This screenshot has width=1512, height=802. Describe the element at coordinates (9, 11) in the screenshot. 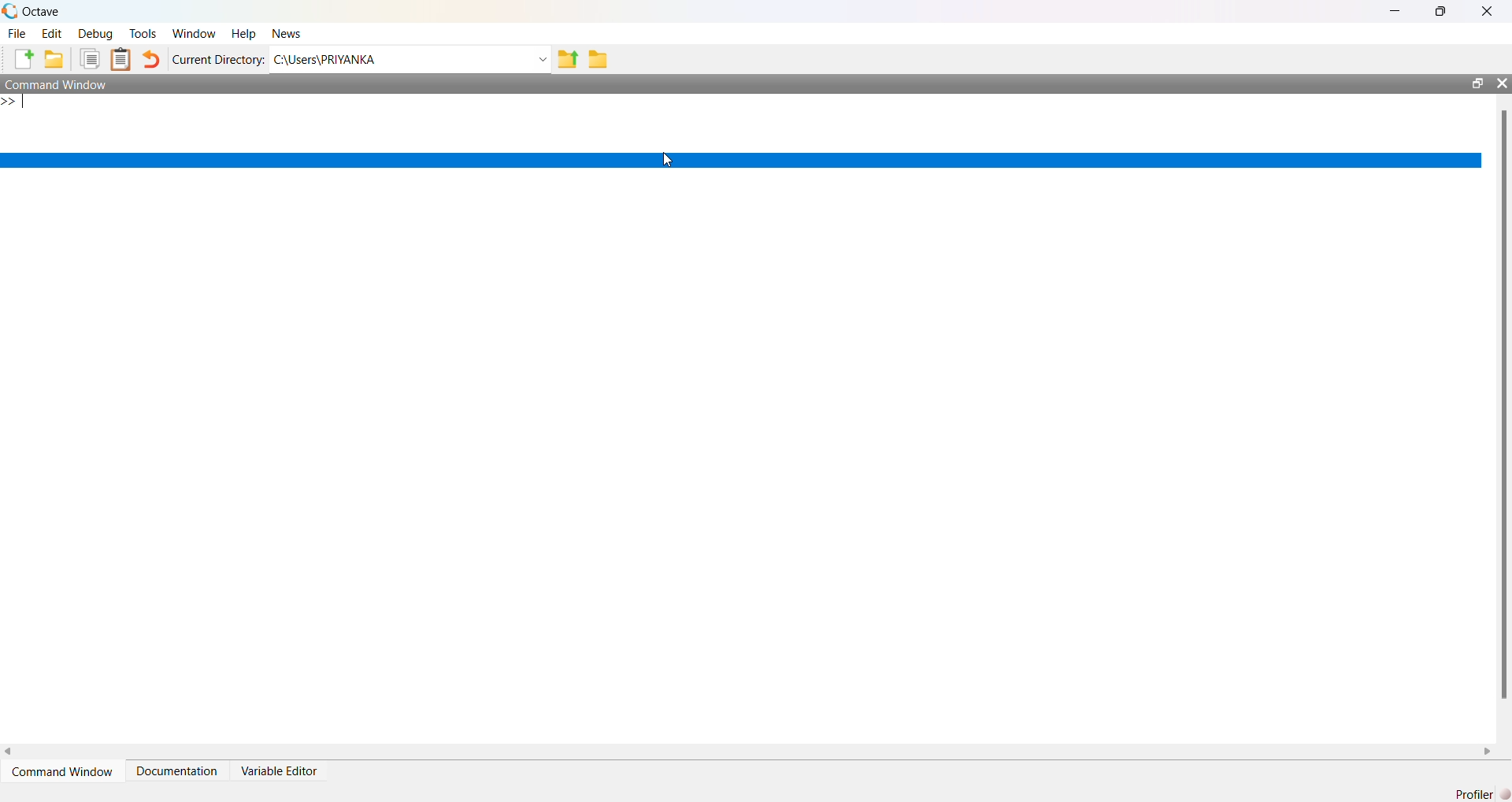

I see `logo` at that location.